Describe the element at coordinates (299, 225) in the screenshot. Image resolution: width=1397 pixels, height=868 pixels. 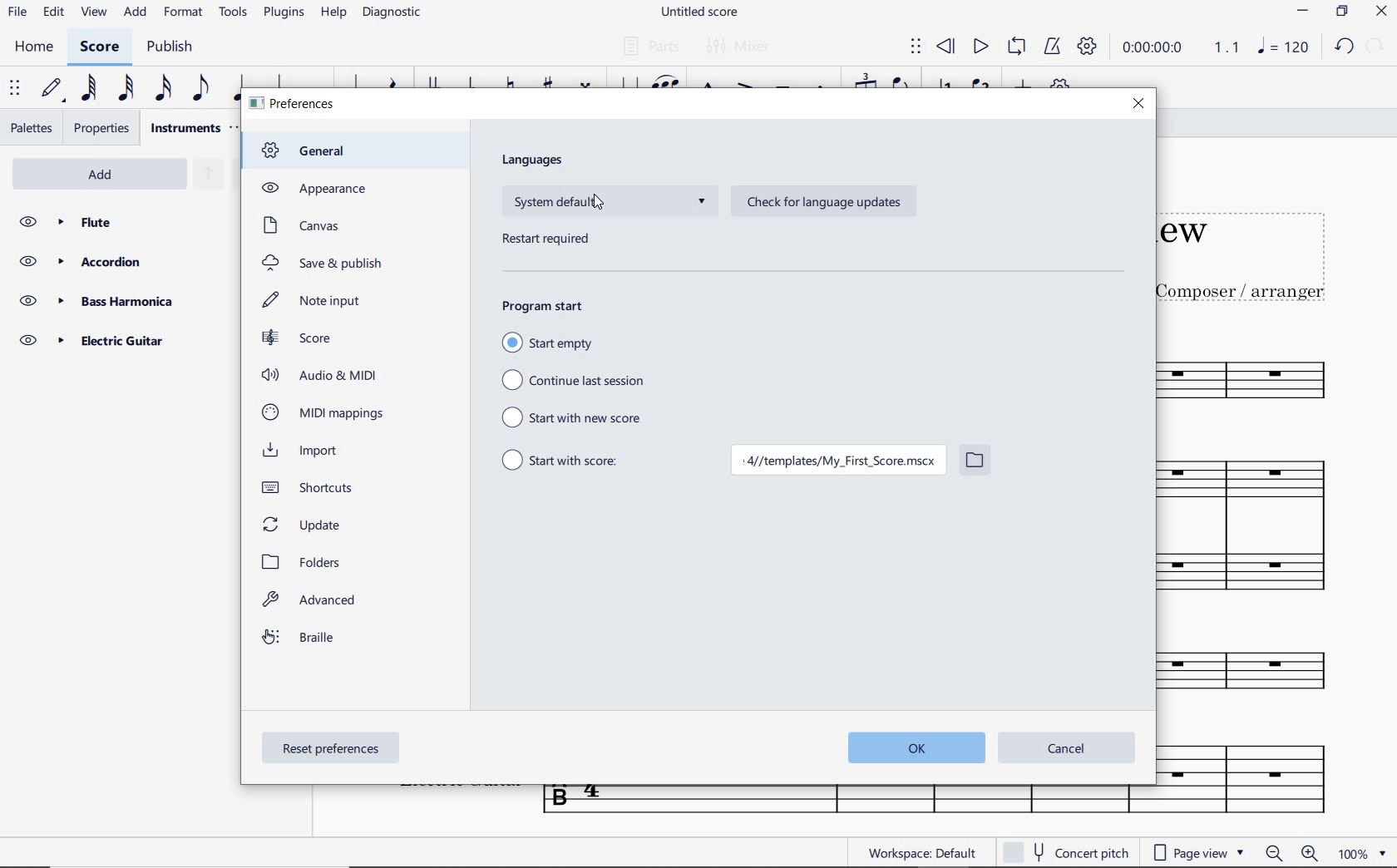
I see `canvas` at that location.